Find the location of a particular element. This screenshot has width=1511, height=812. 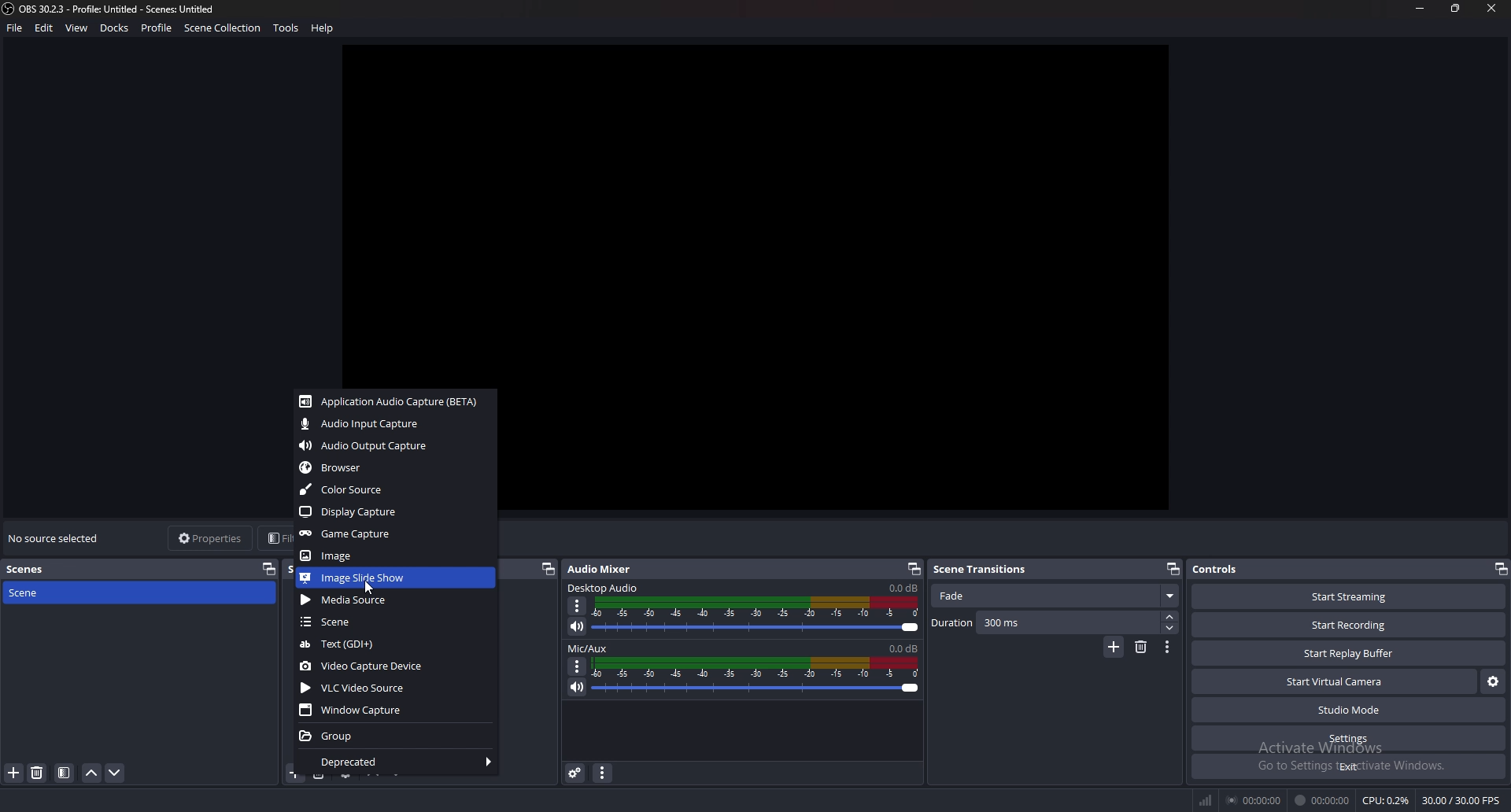

audio input capture is located at coordinates (393, 423).